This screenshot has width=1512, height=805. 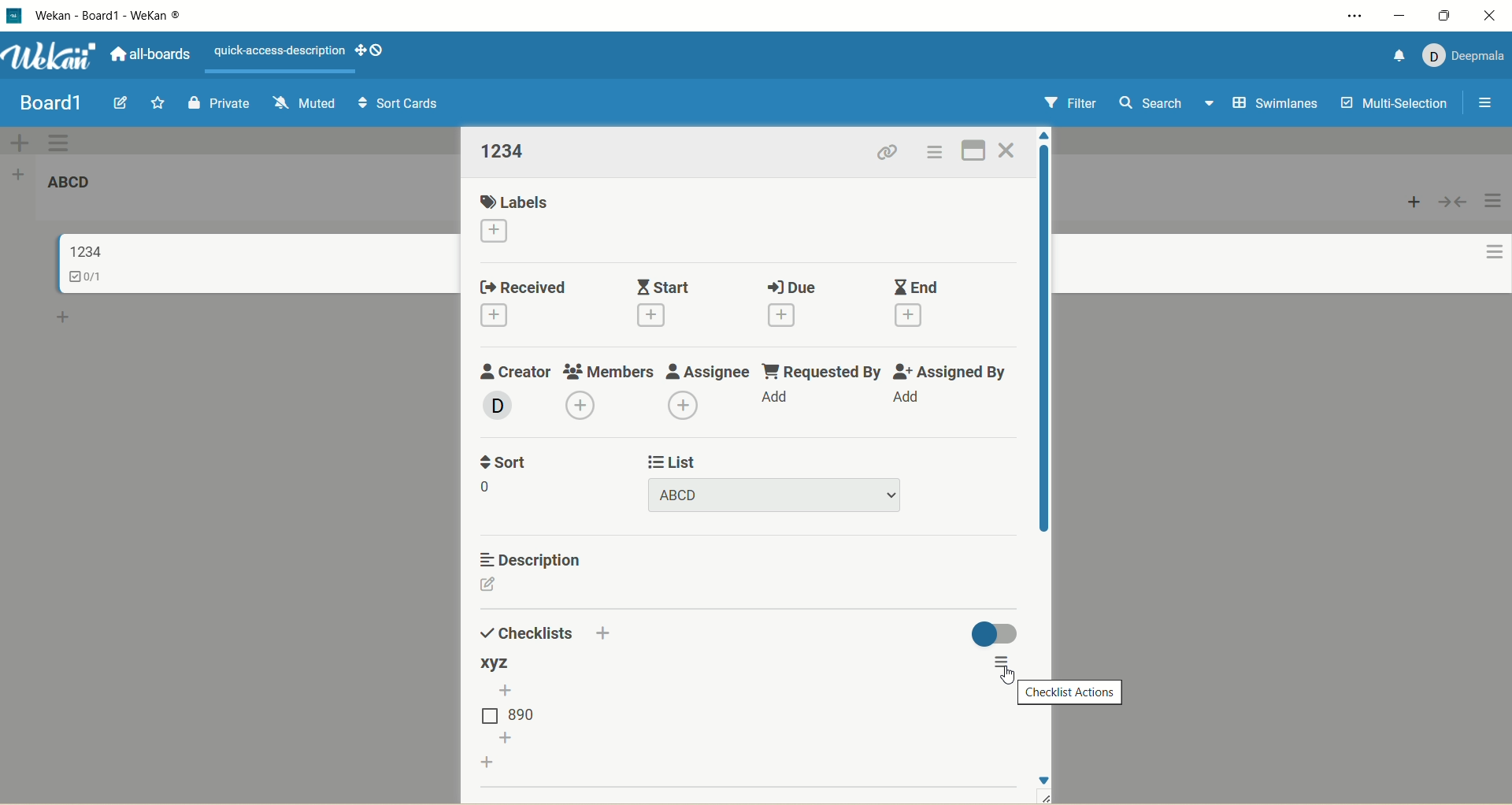 I want to click on copy link, so click(x=890, y=154).